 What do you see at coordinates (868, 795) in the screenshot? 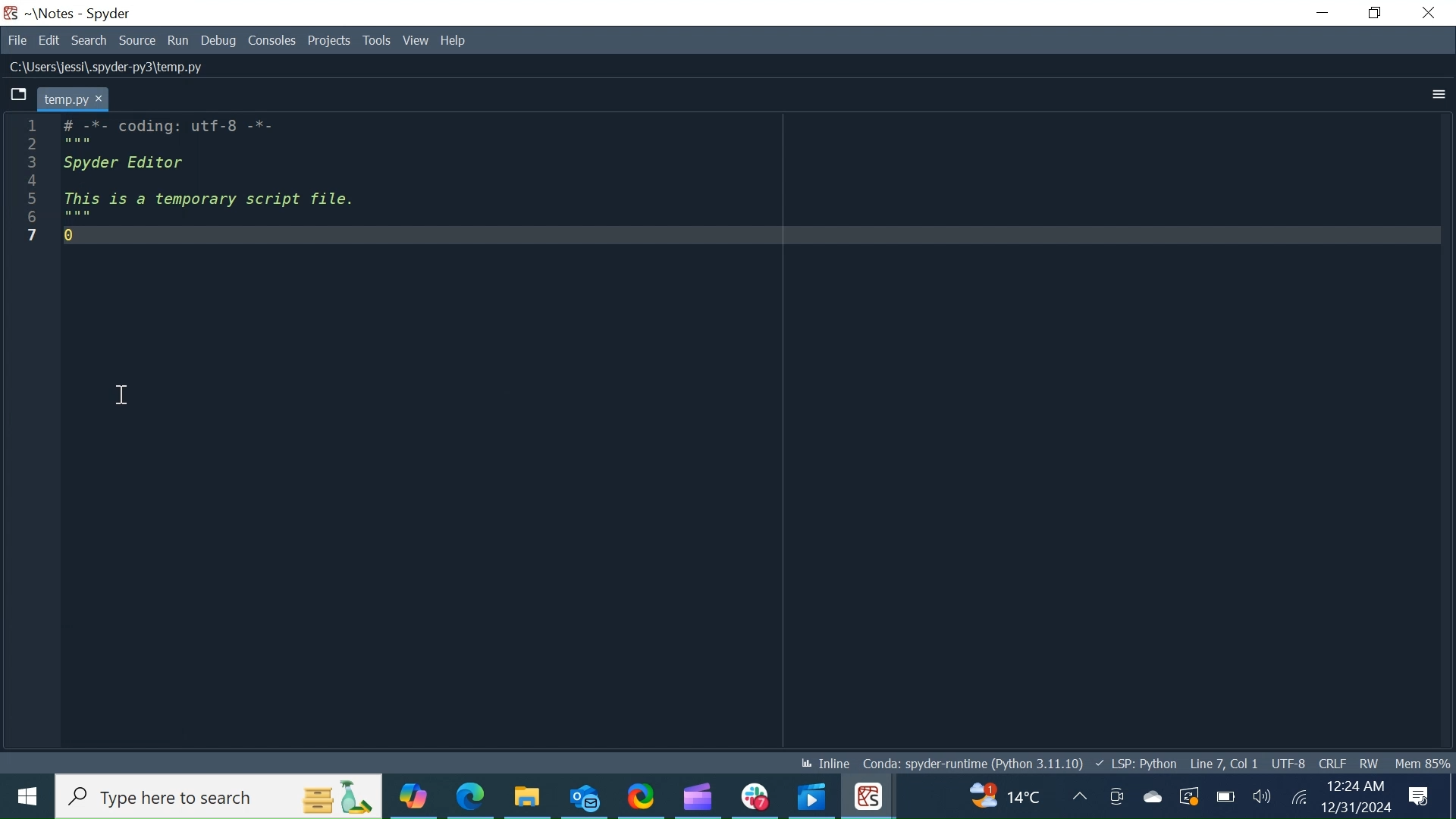
I see `Spyder Desktop Icon` at bounding box center [868, 795].